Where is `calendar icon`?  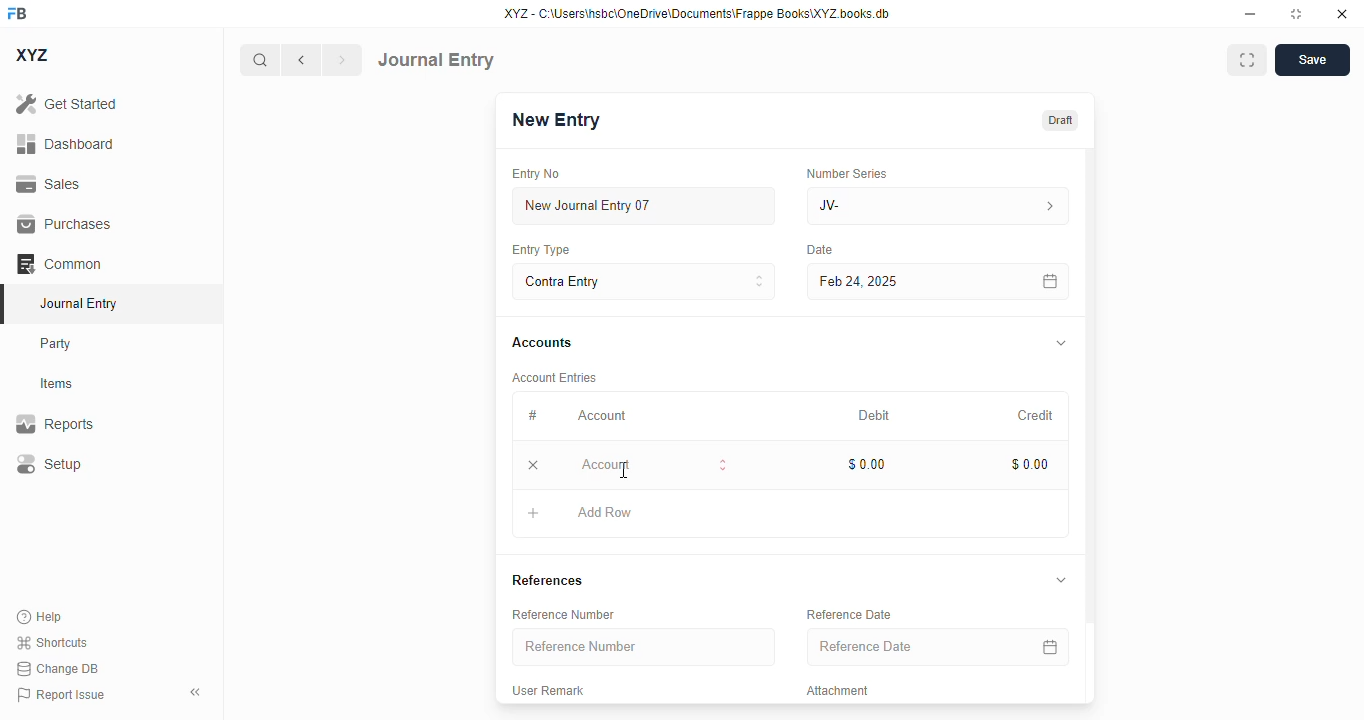 calendar icon is located at coordinates (1049, 646).